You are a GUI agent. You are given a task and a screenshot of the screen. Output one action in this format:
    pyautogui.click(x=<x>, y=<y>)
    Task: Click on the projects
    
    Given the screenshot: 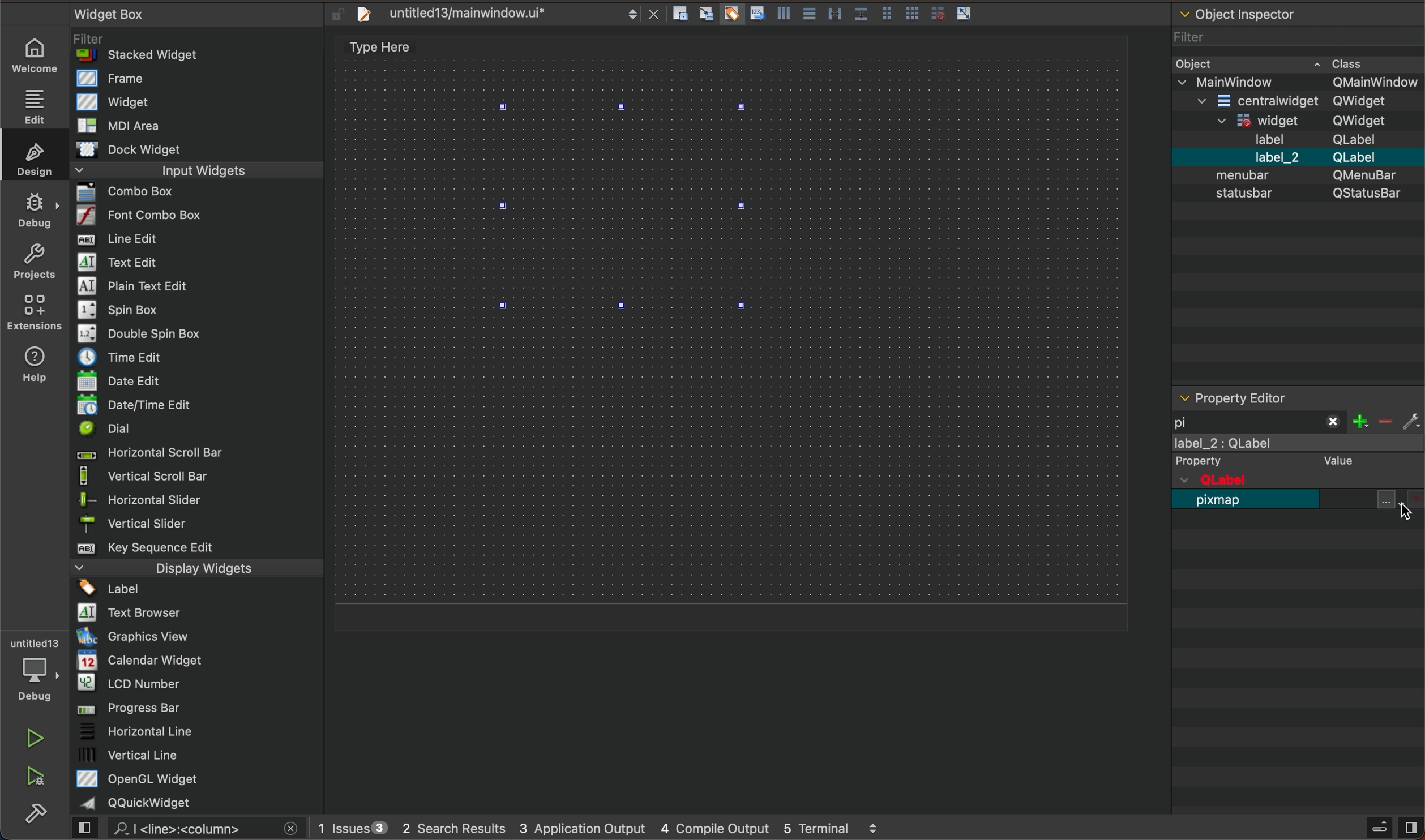 What is the action you would take?
    pyautogui.click(x=33, y=259)
    